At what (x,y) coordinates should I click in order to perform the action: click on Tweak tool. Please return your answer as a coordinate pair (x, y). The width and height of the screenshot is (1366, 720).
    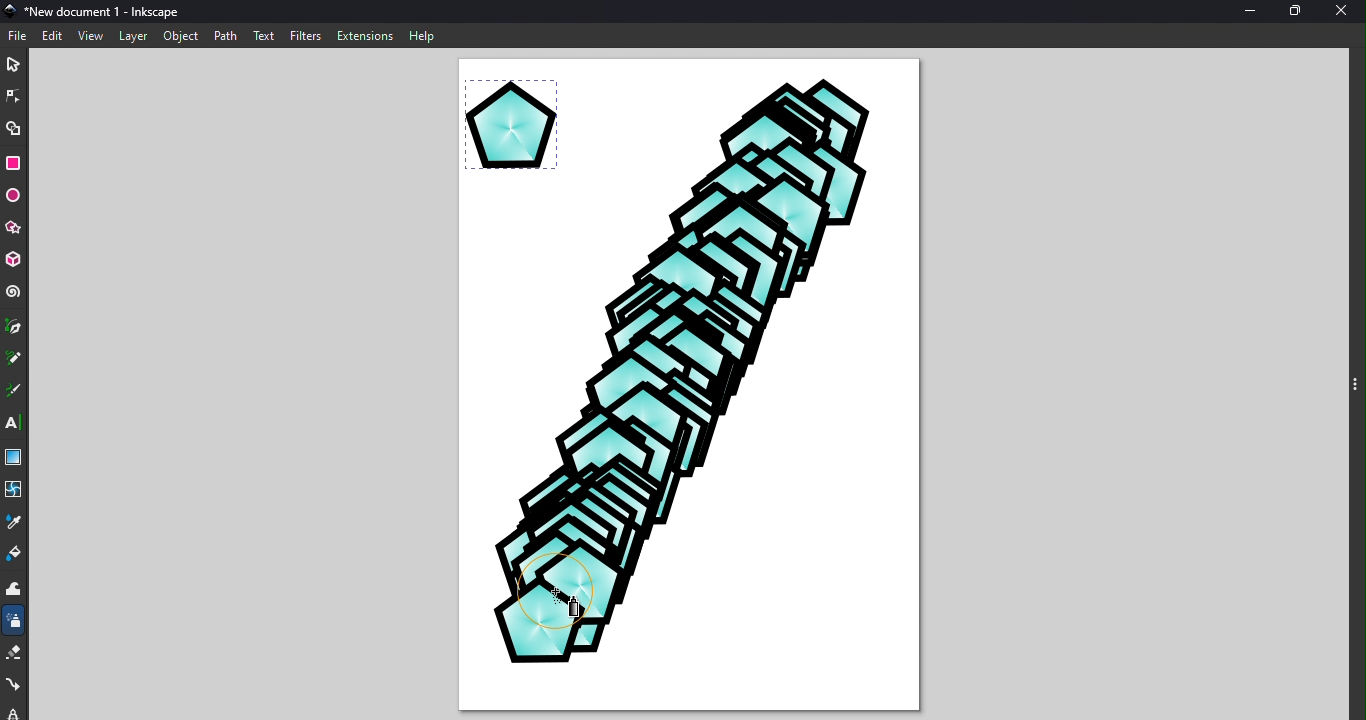
    Looking at the image, I should click on (18, 591).